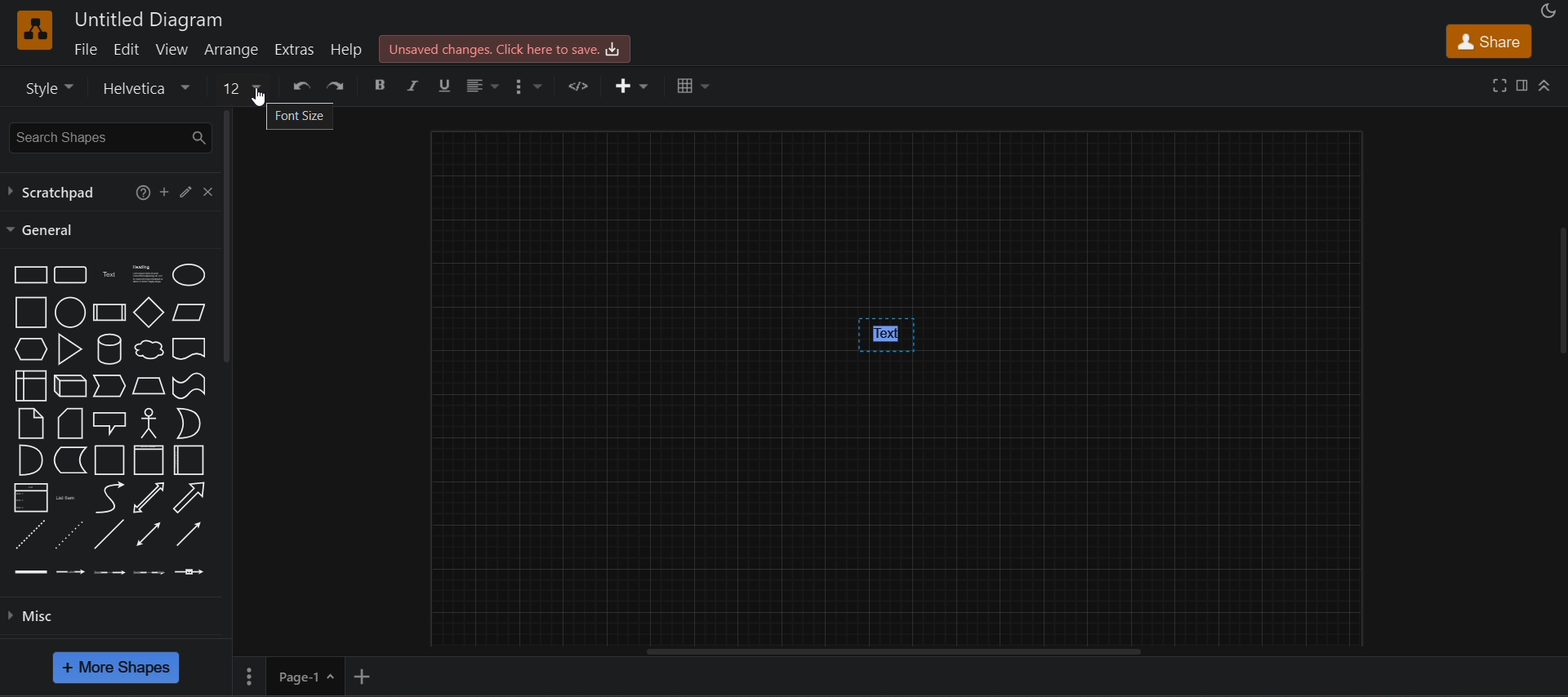 This screenshot has width=1568, height=697. I want to click on add new page, so click(363, 677).